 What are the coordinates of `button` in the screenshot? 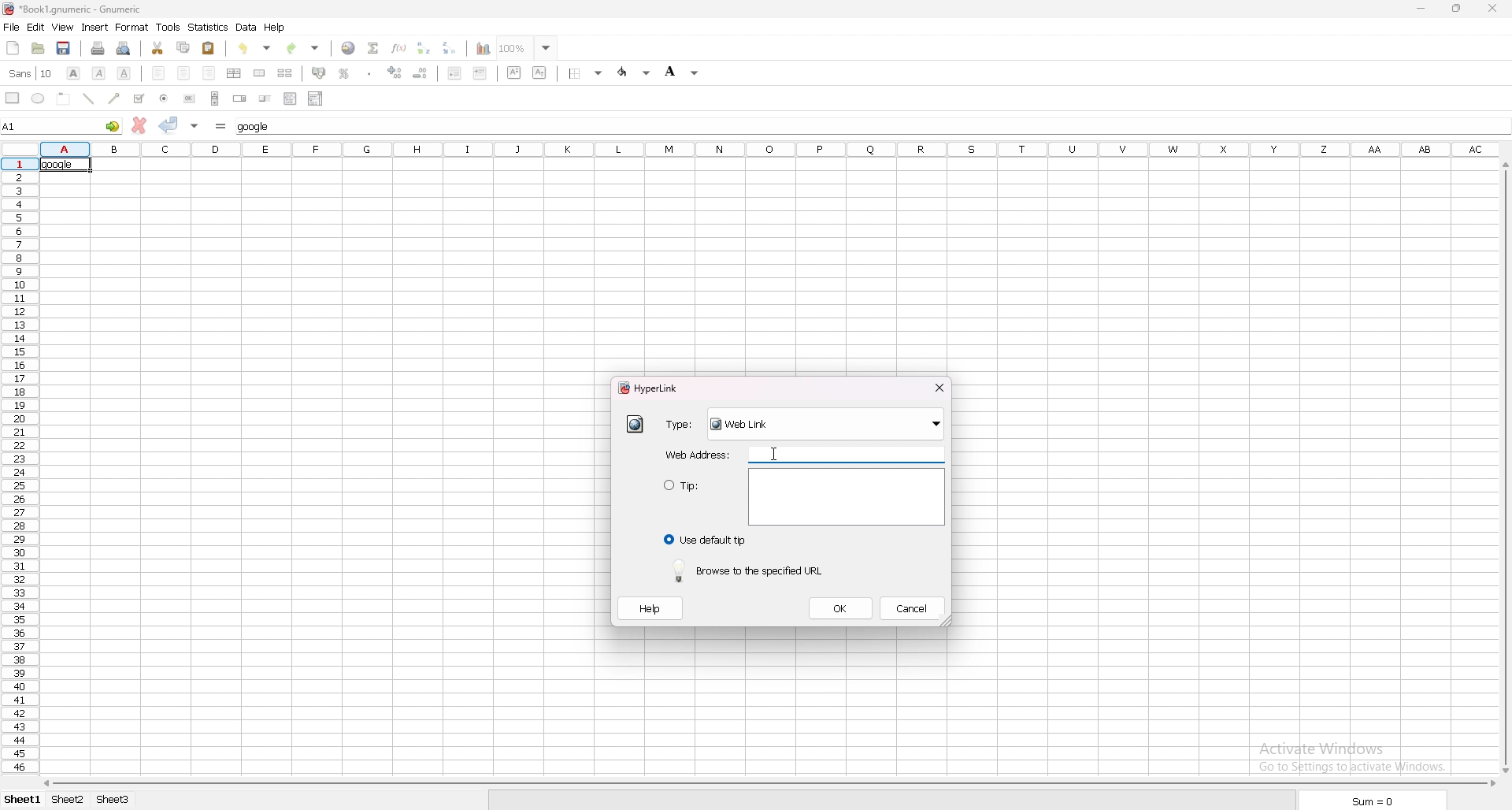 It's located at (191, 98).